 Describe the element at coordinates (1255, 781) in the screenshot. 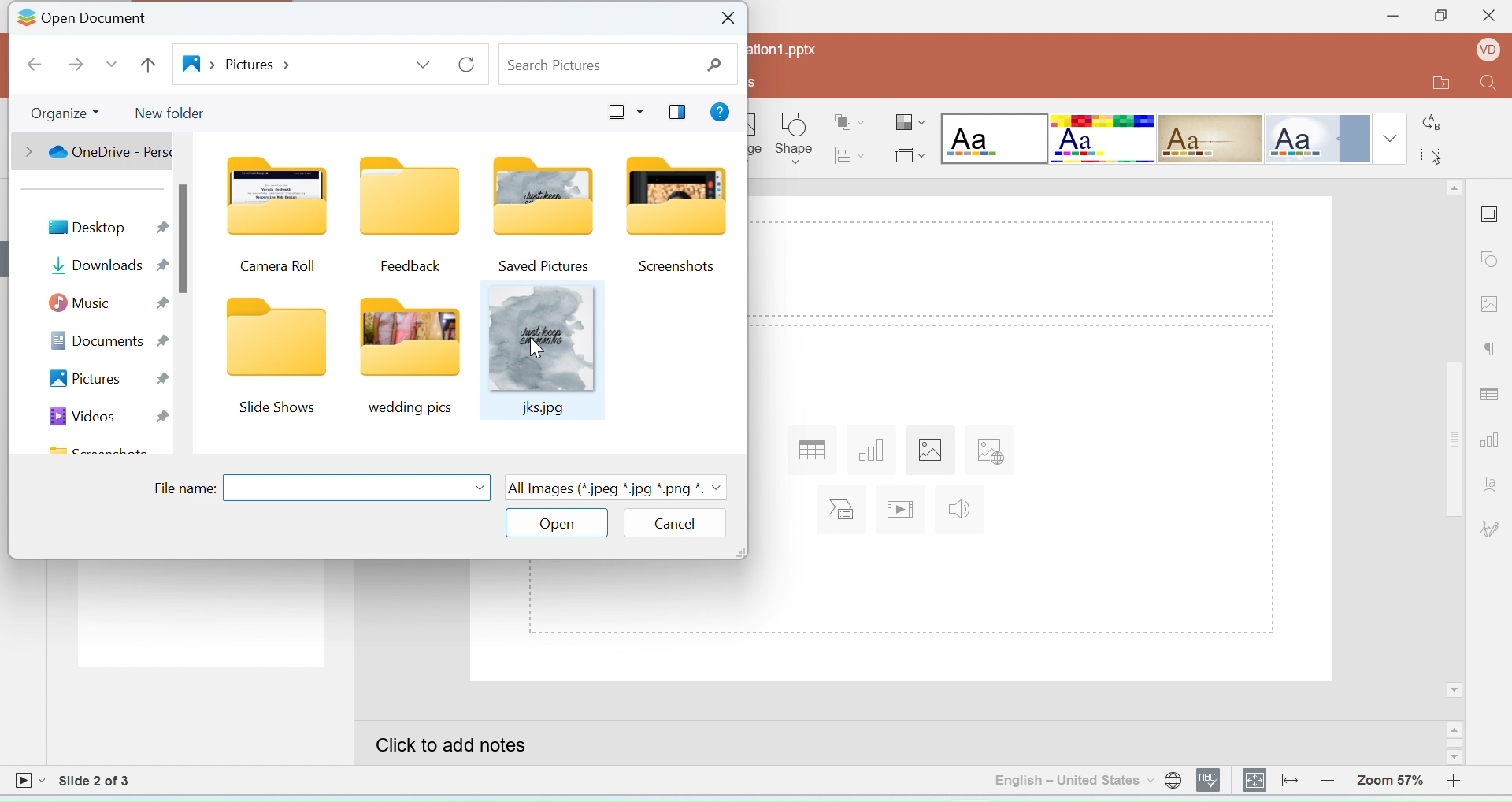

I see `Fit to slide` at that location.